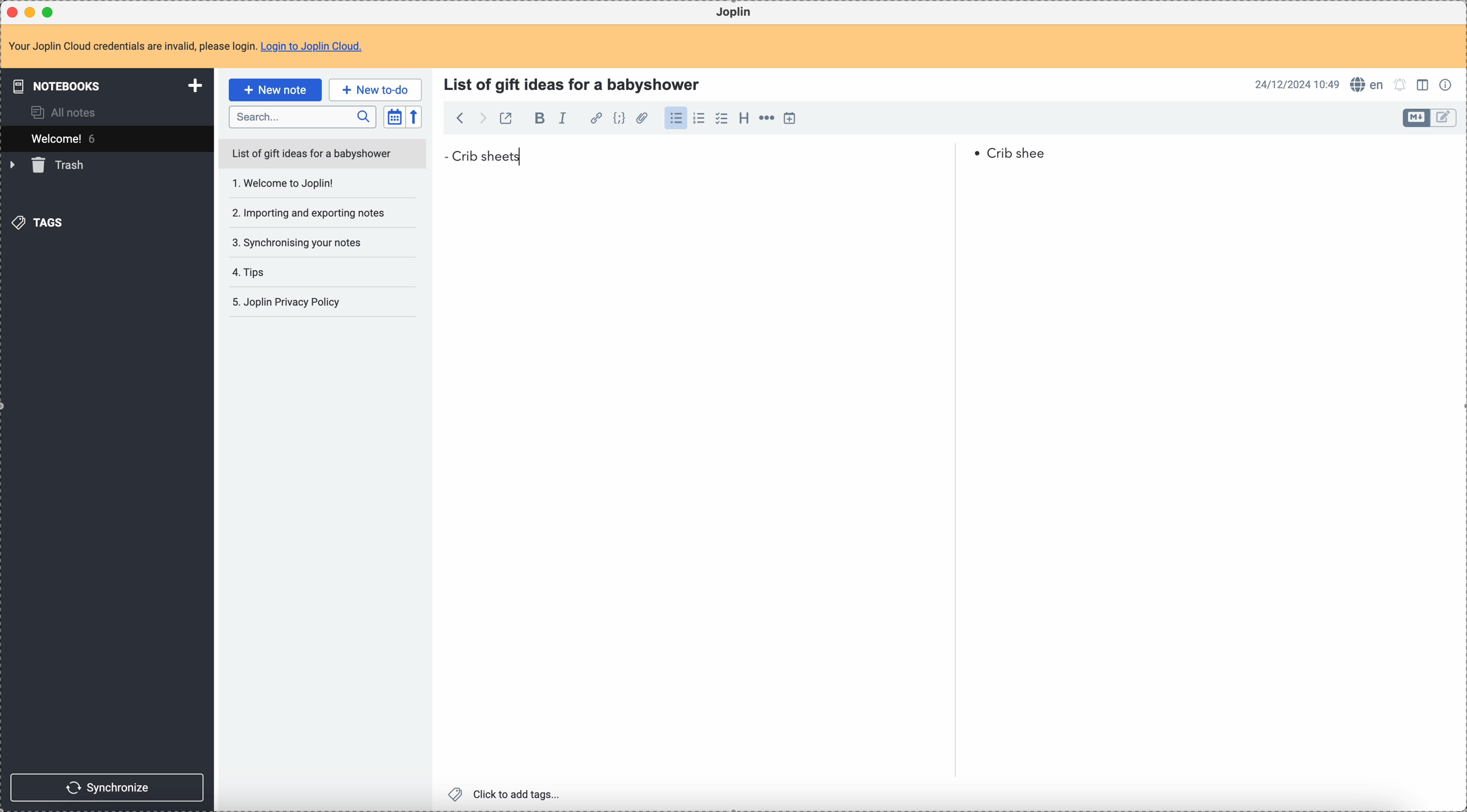 The width and height of the screenshot is (1467, 812). I want to click on close Joplin, so click(11, 12).